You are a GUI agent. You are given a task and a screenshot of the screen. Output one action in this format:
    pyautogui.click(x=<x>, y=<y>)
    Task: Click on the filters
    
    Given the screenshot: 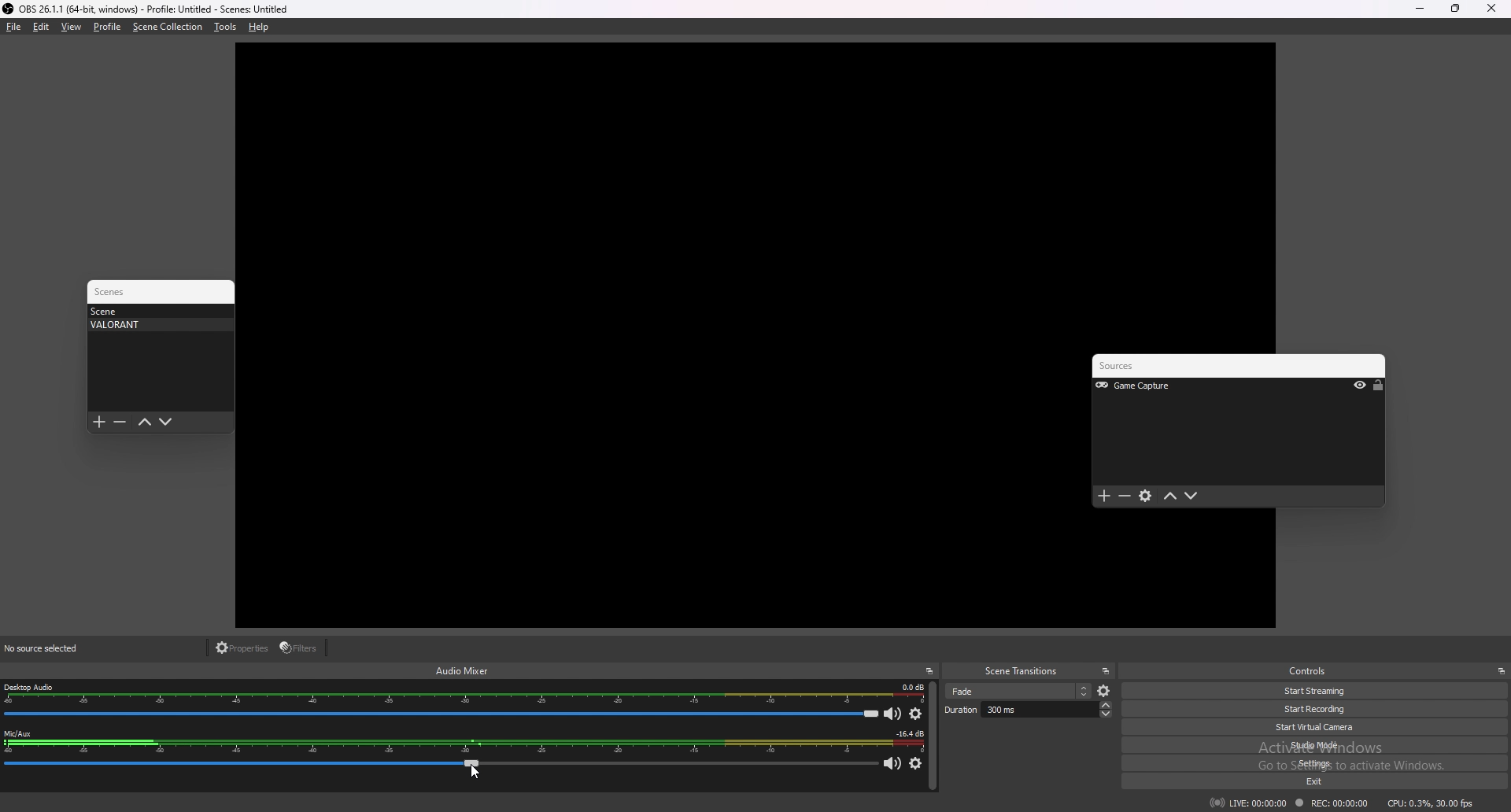 What is the action you would take?
    pyautogui.click(x=301, y=648)
    